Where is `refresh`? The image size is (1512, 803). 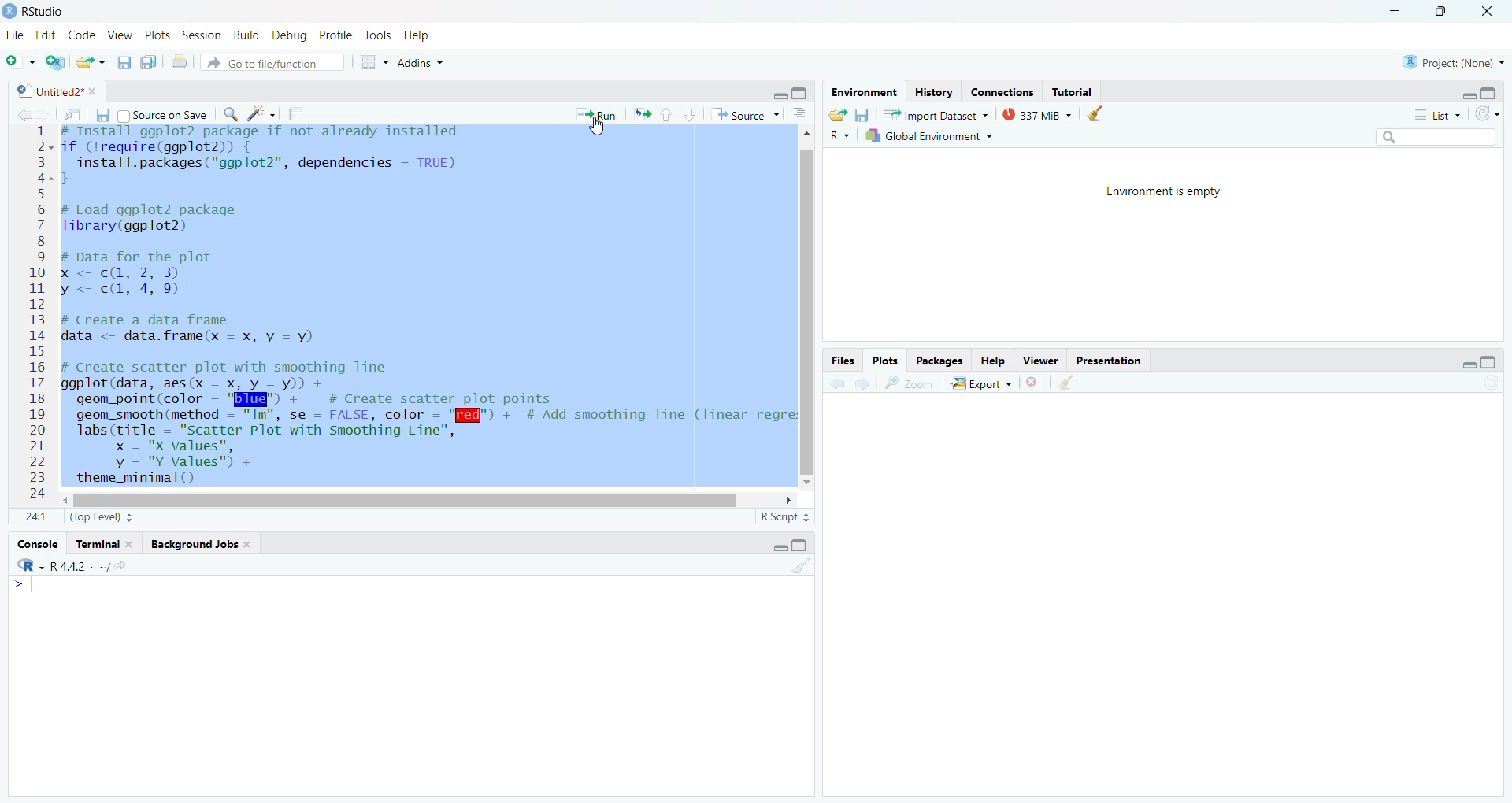 refresh is located at coordinates (1490, 113).